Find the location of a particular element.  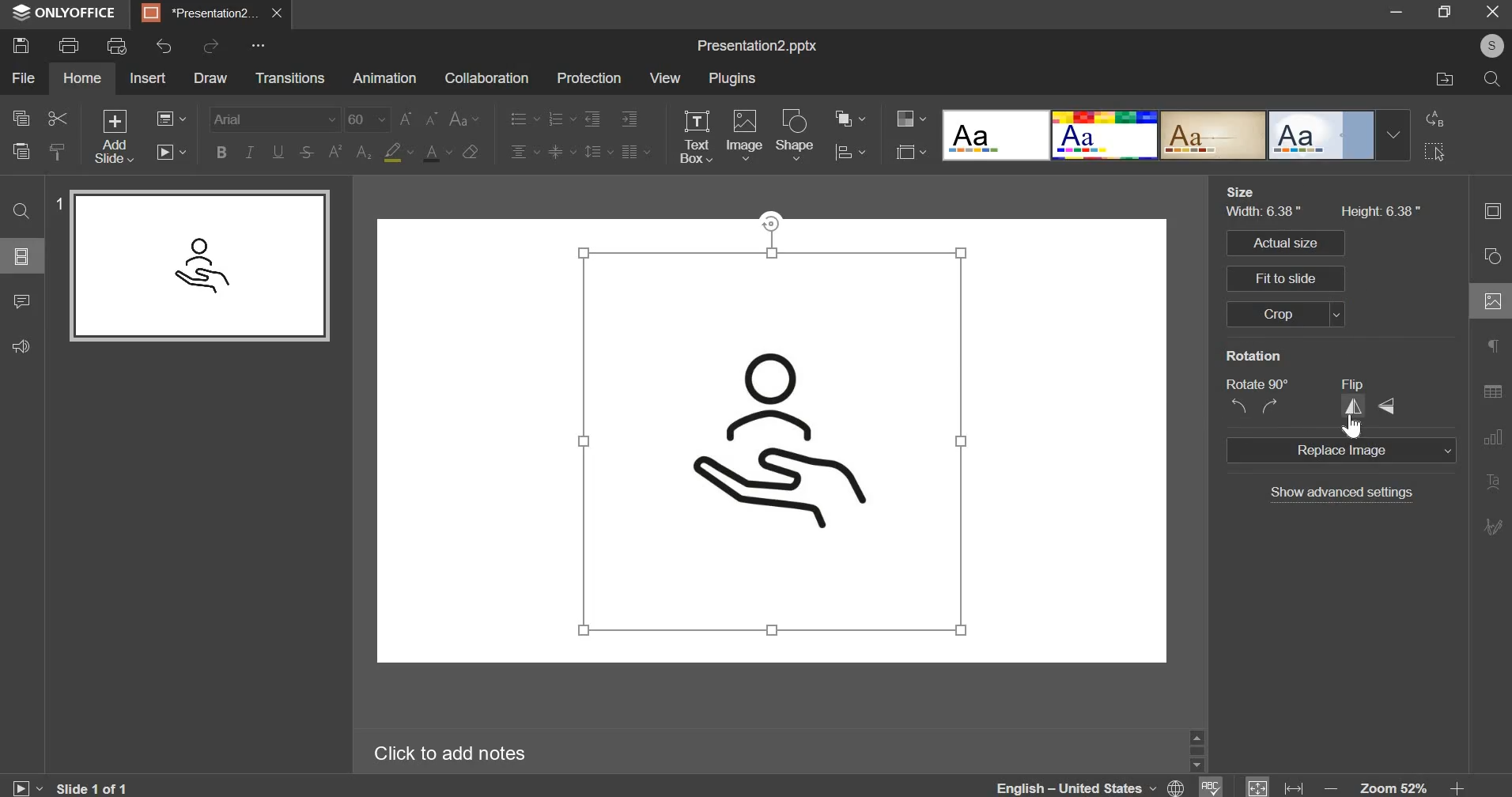

plugins is located at coordinates (731, 78).